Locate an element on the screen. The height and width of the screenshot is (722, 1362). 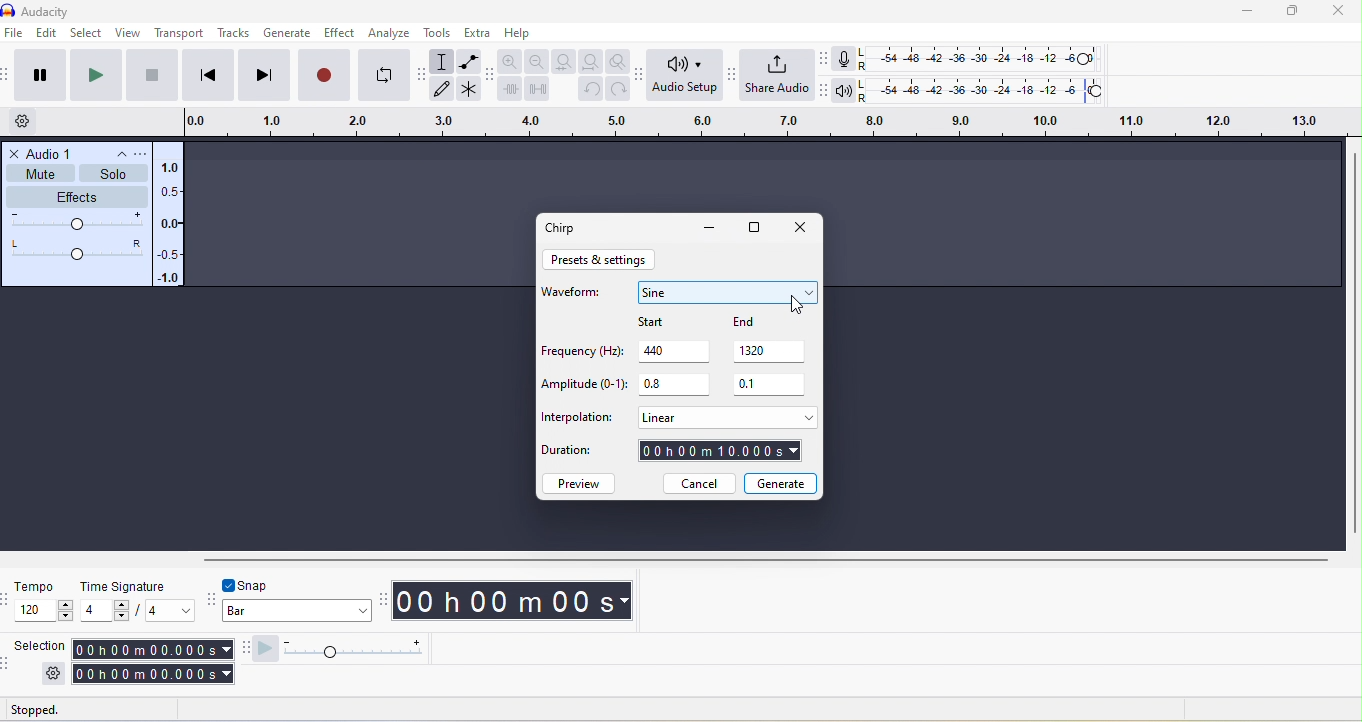
open menu is located at coordinates (138, 153).